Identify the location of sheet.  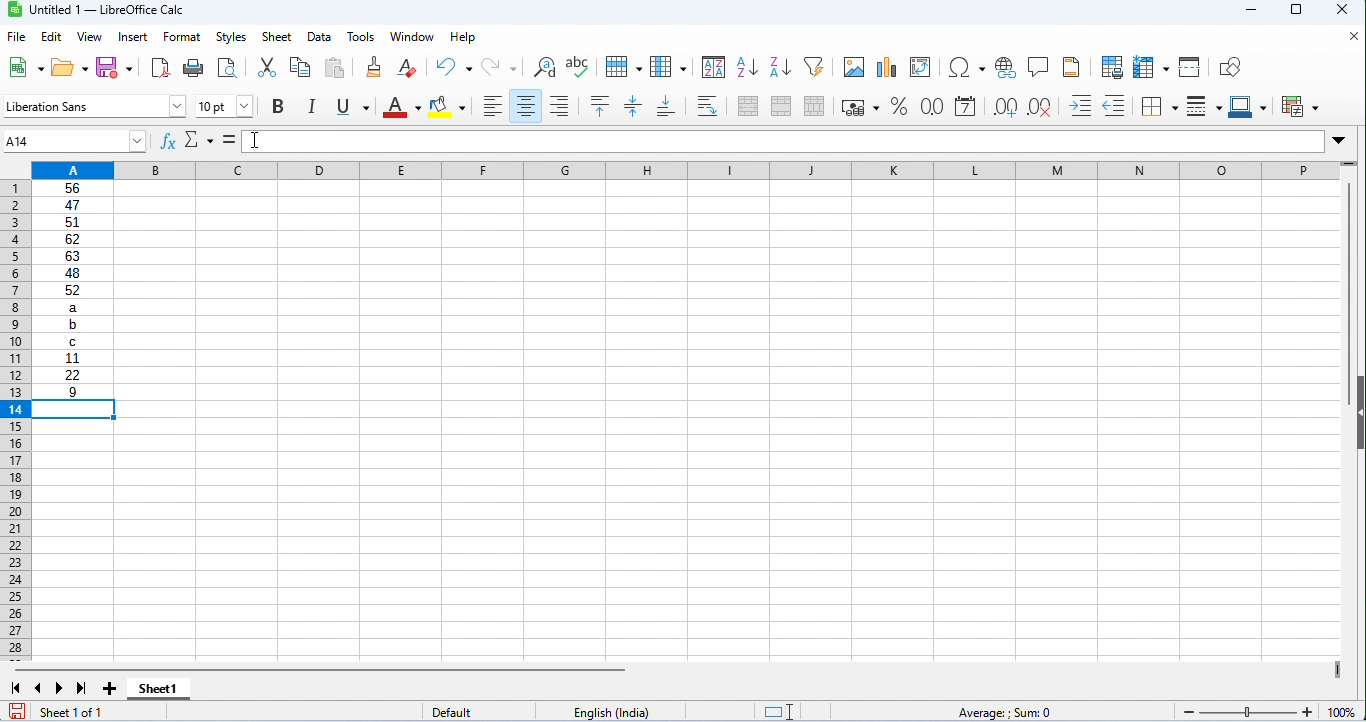
(277, 36).